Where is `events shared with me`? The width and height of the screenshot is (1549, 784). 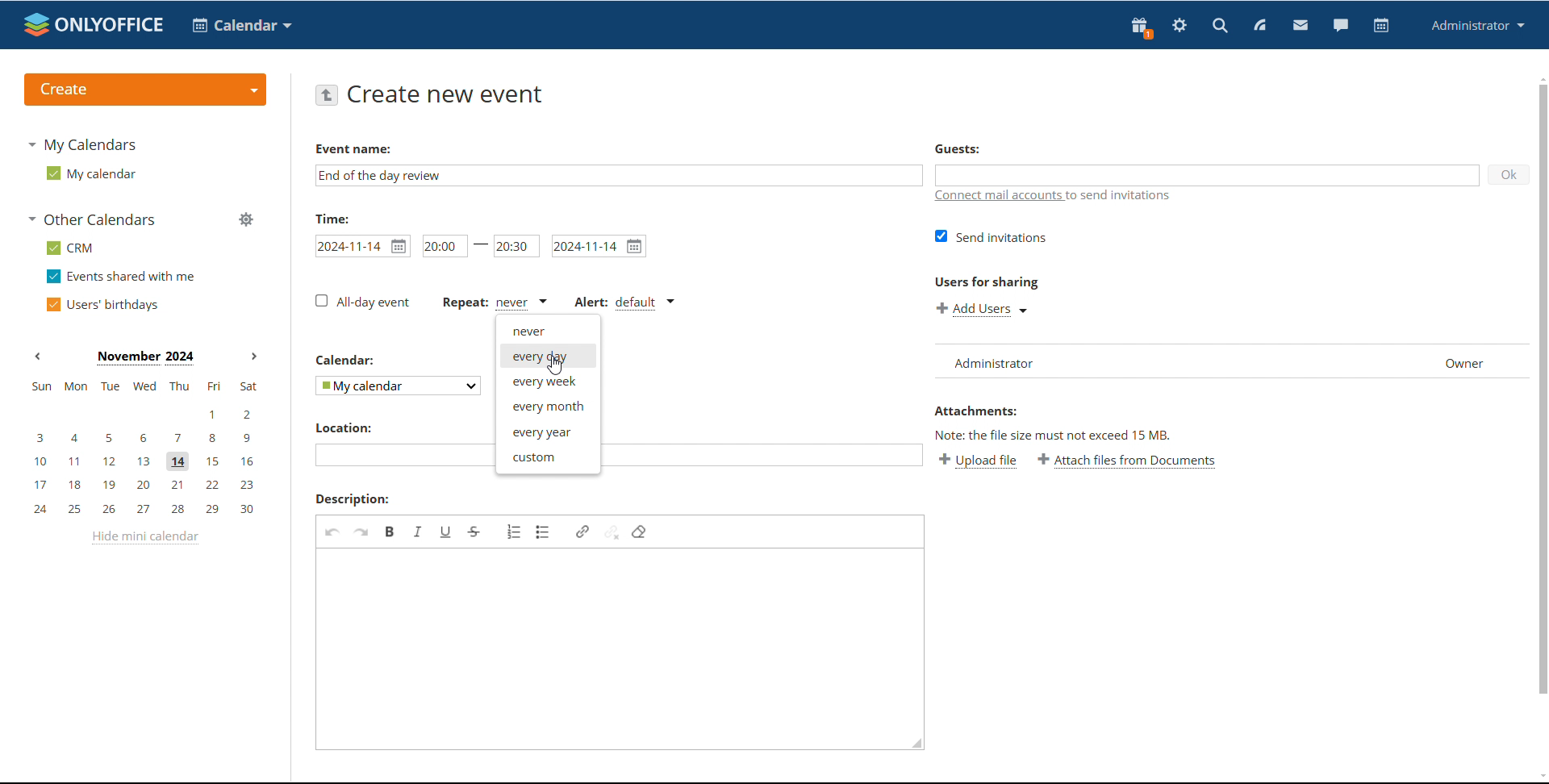 events shared with me is located at coordinates (123, 276).